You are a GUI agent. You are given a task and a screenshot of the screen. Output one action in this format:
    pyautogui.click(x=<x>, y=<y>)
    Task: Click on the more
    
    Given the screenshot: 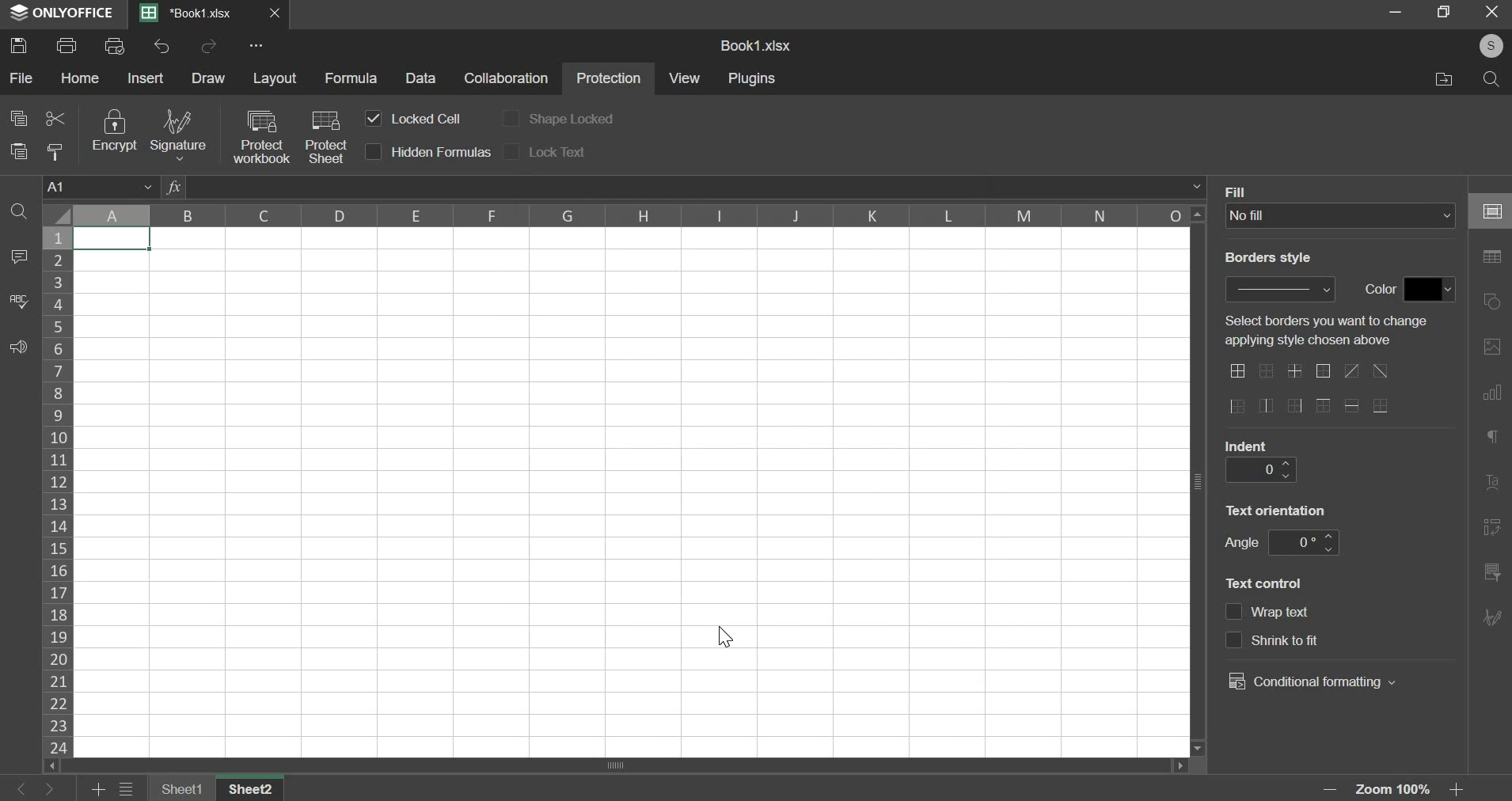 What is the action you would take?
    pyautogui.click(x=259, y=45)
    